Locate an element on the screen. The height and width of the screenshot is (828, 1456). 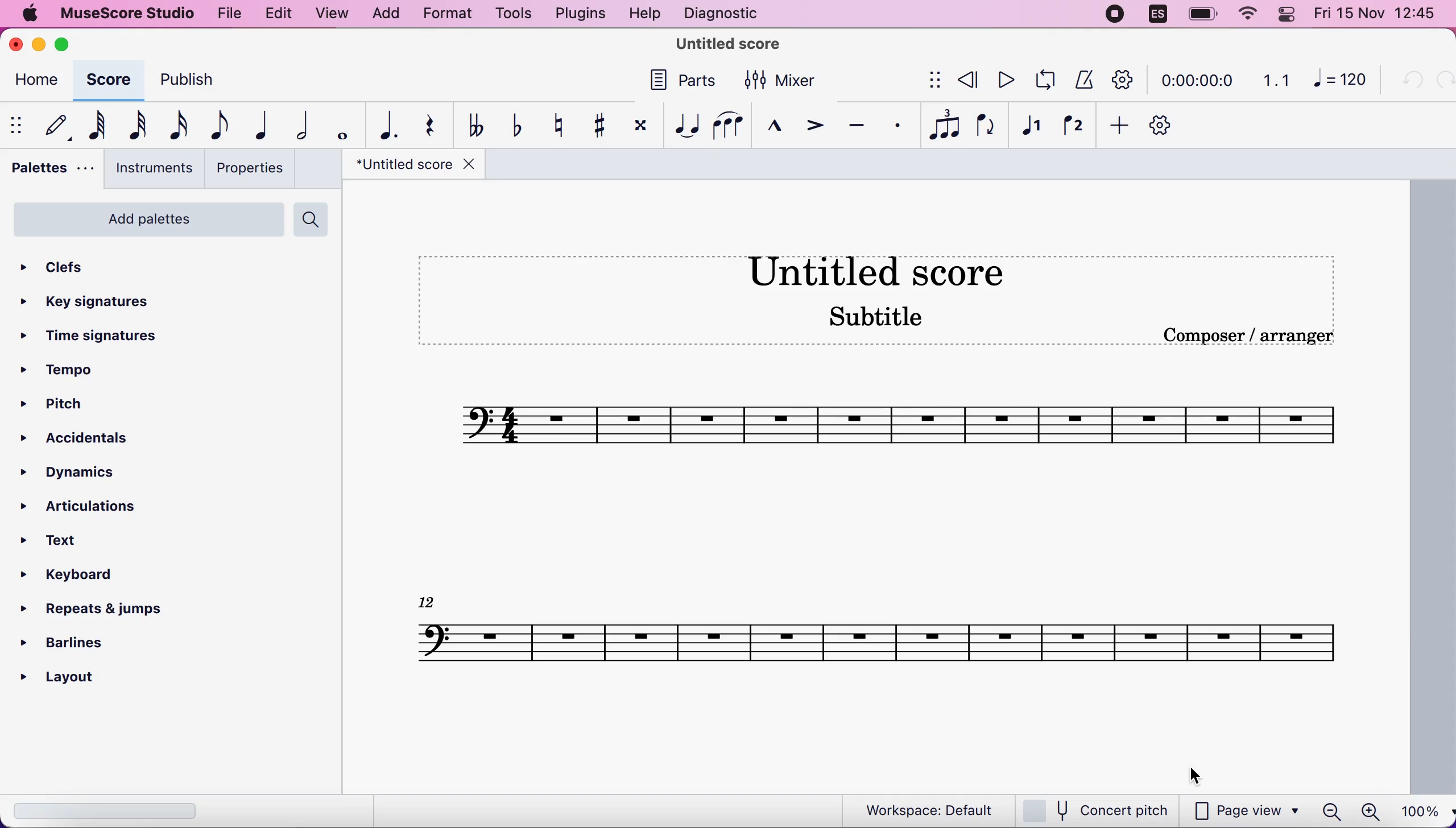
Palettes is located at coordinates (53, 166).